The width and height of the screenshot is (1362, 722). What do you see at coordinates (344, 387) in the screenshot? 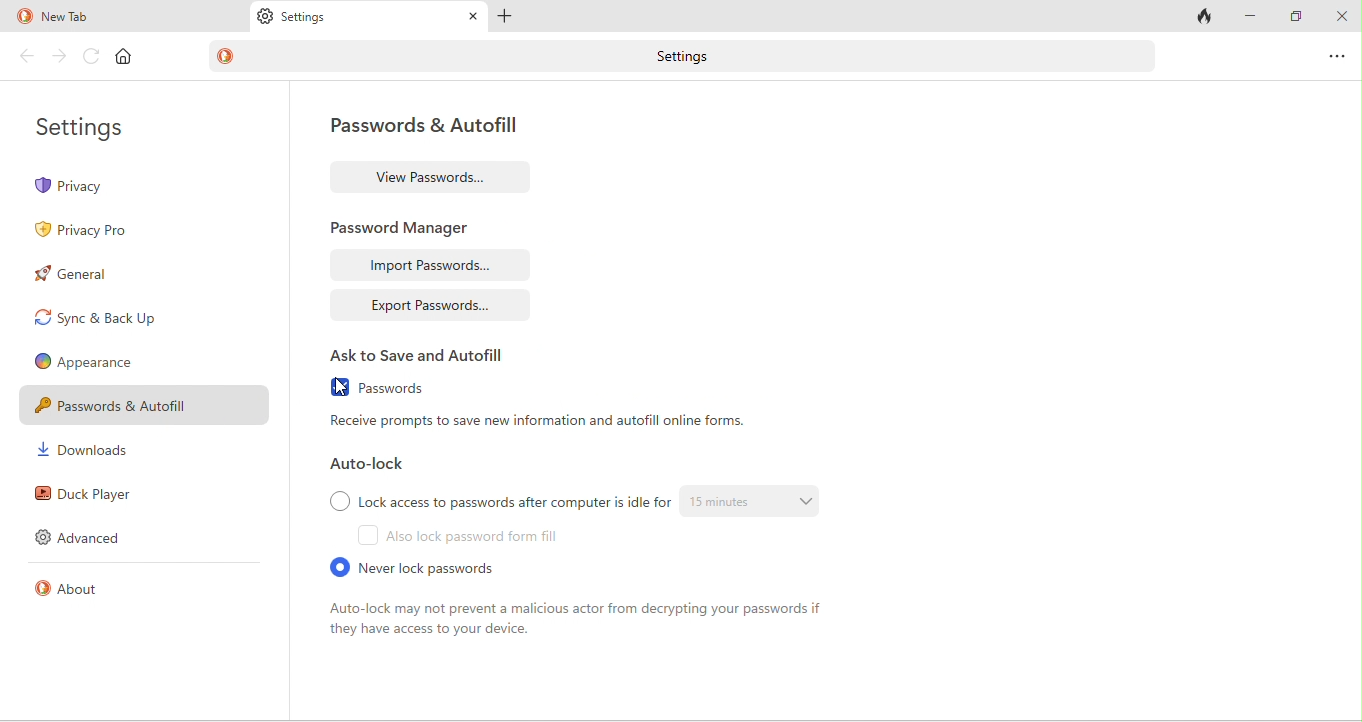
I see `cursor movement` at bounding box center [344, 387].